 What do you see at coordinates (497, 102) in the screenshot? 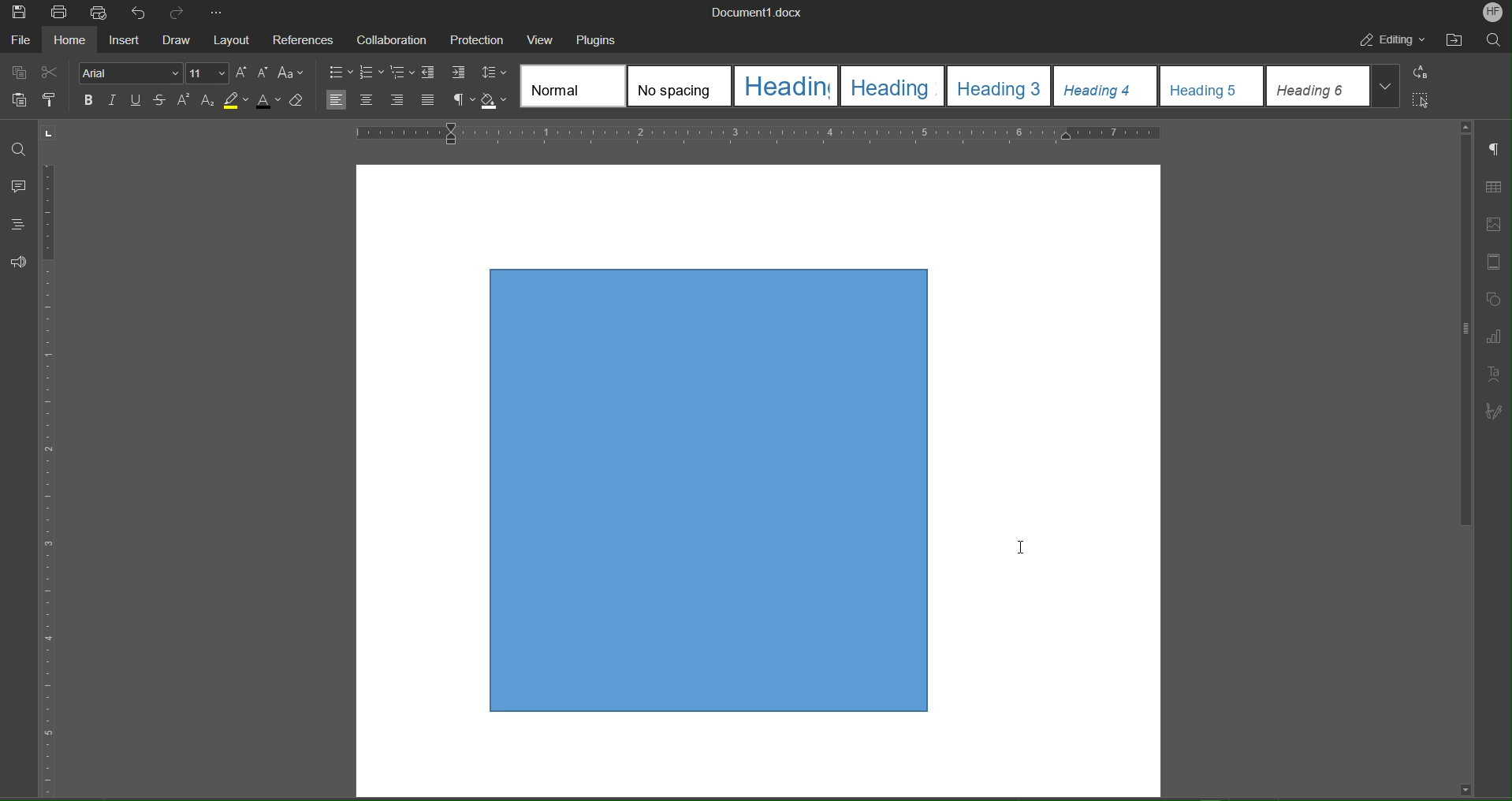
I see `Shadow` at bounding box center [497, 102].